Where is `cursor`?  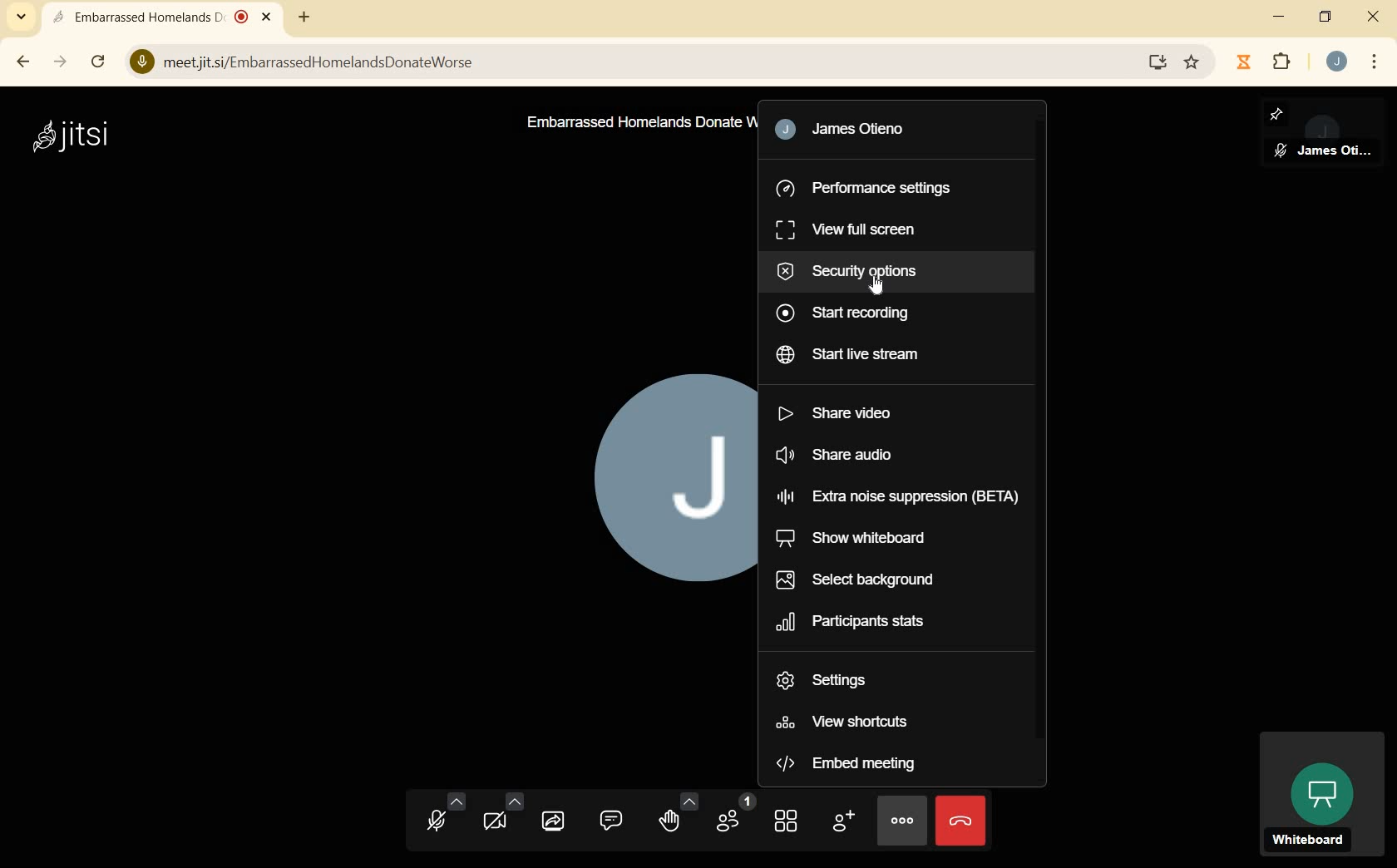
cursor is located at coordinates (881, 290).